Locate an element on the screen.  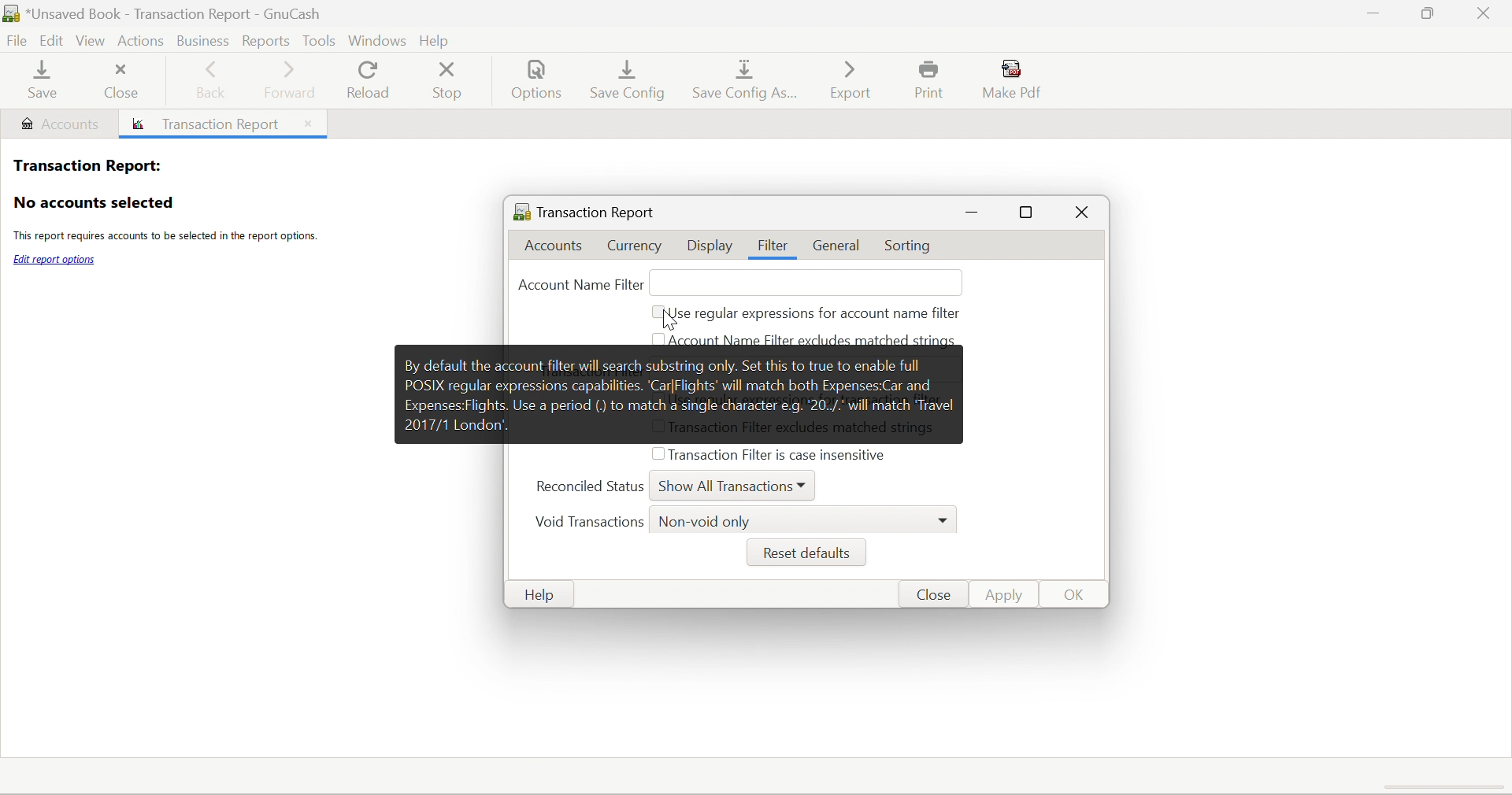
Options is located at coordinates (539, 83).